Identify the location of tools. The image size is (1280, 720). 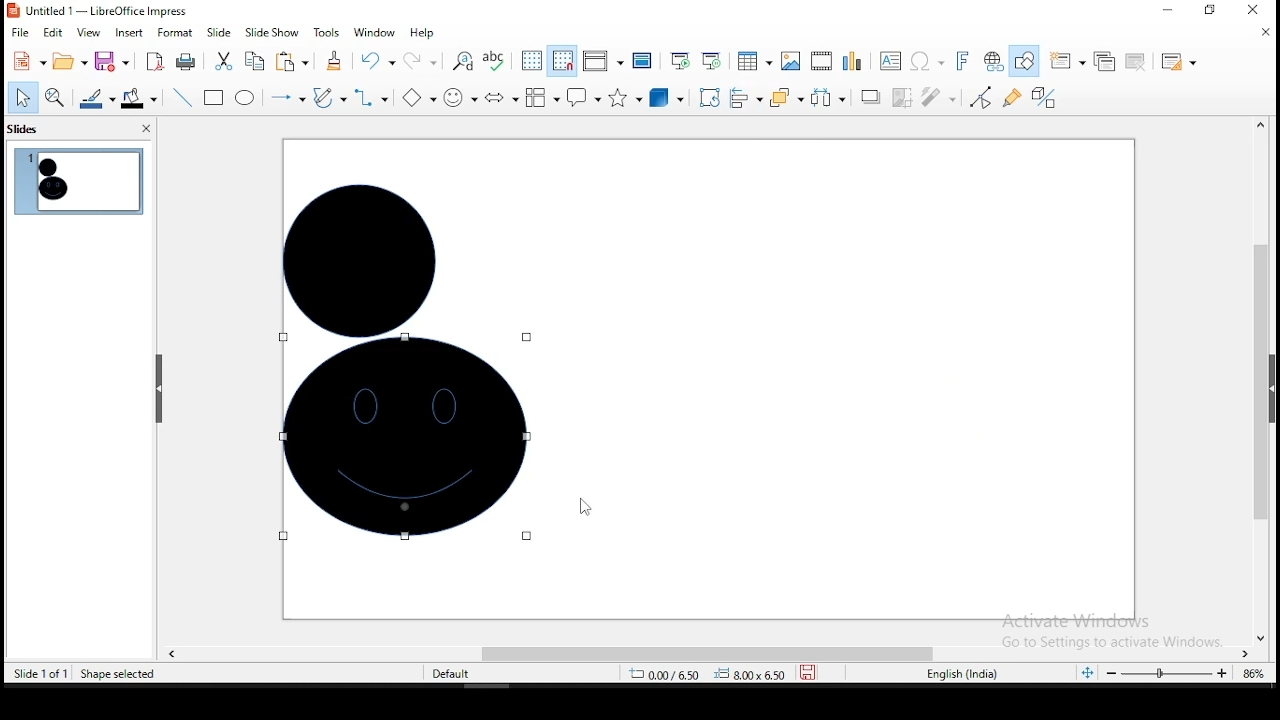
(324, 32).